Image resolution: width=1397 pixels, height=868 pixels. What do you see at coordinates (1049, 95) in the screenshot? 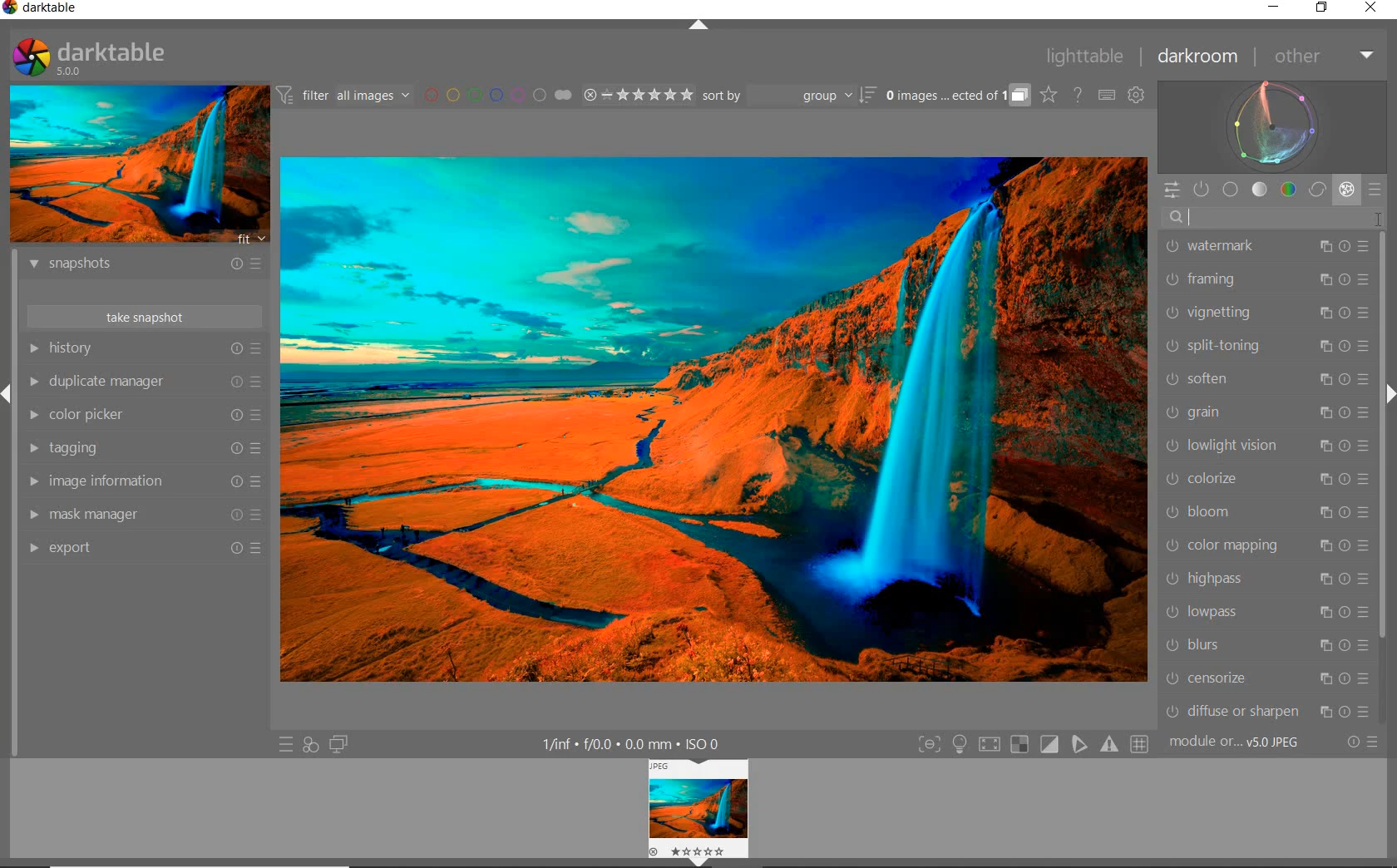
I see `CLICK TO CHANGE THE OVERLAYS SHOWN ON THUMBNAILS` at bounding box center [1049, 95].